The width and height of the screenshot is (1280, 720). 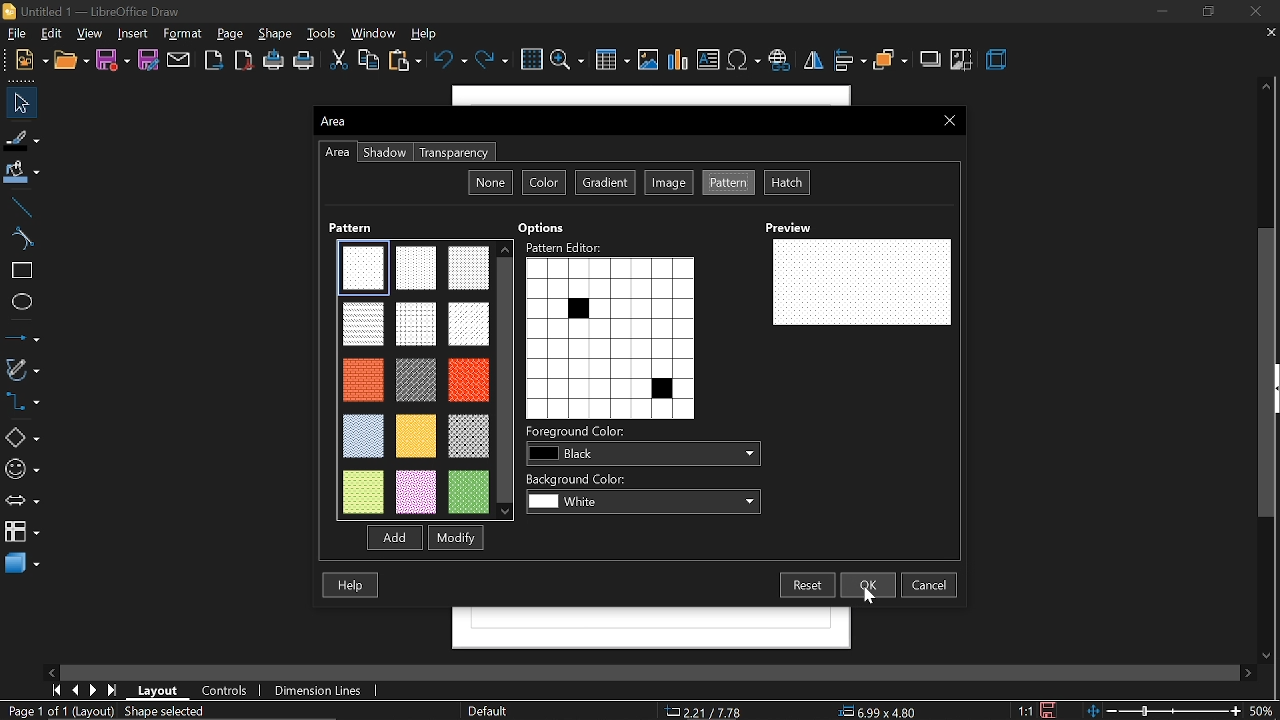 I want to click on flowchart, so click(x=21, y=532).